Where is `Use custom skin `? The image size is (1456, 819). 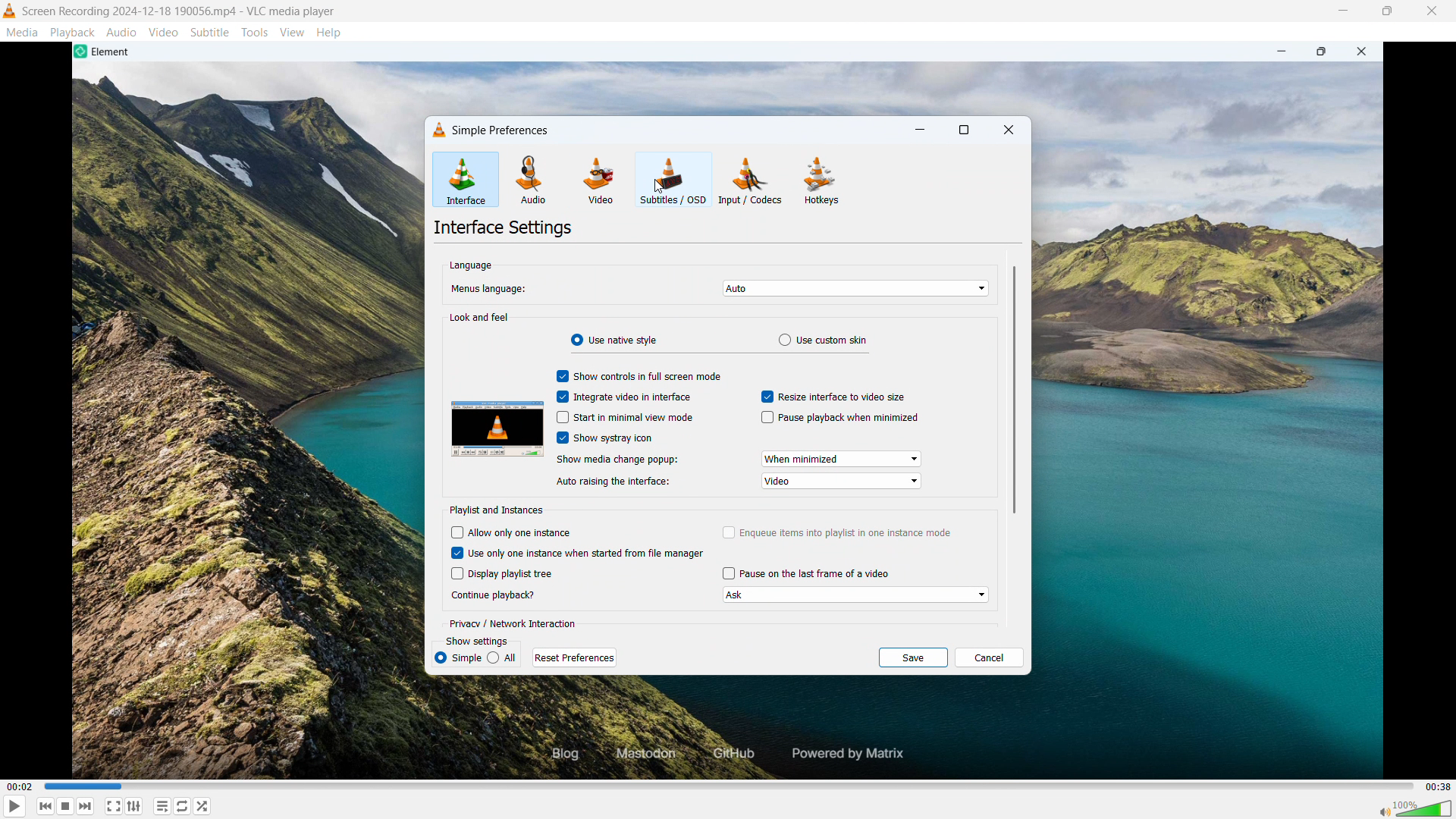 Use custom skin  is located at coordinates (825, 340).